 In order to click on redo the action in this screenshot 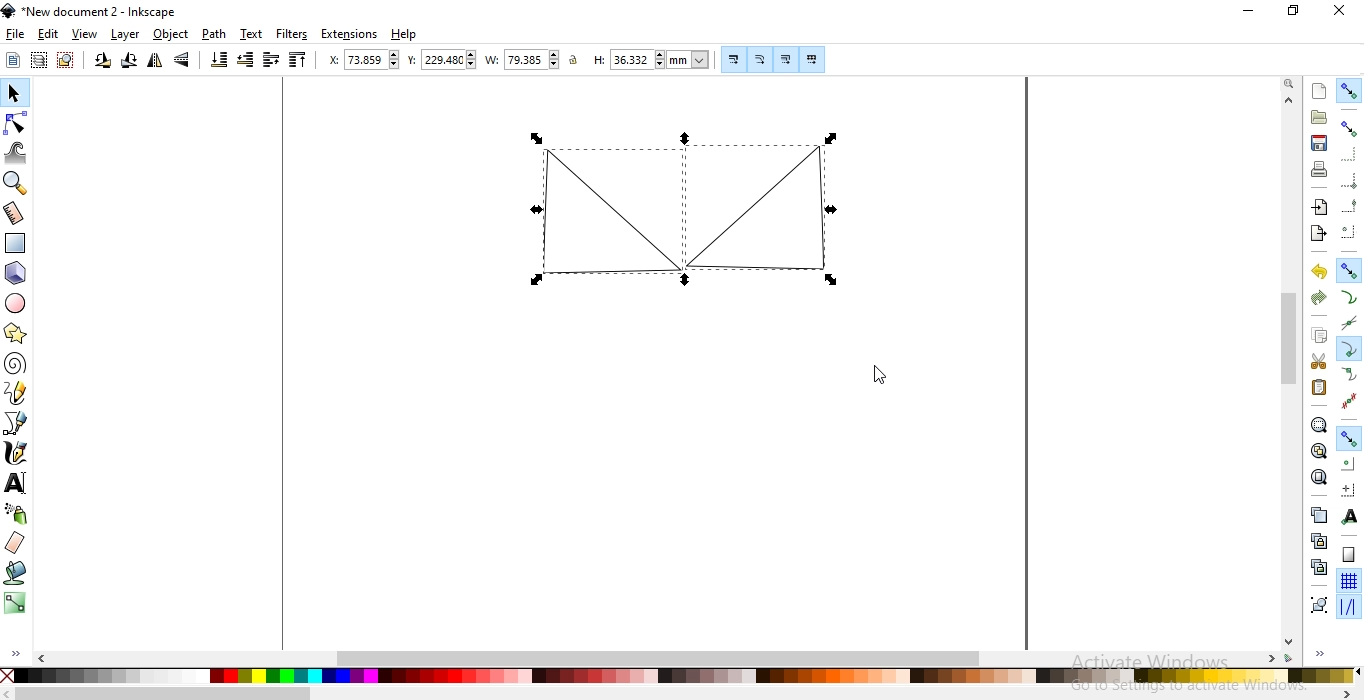, I will do `click(1320, 297)`.